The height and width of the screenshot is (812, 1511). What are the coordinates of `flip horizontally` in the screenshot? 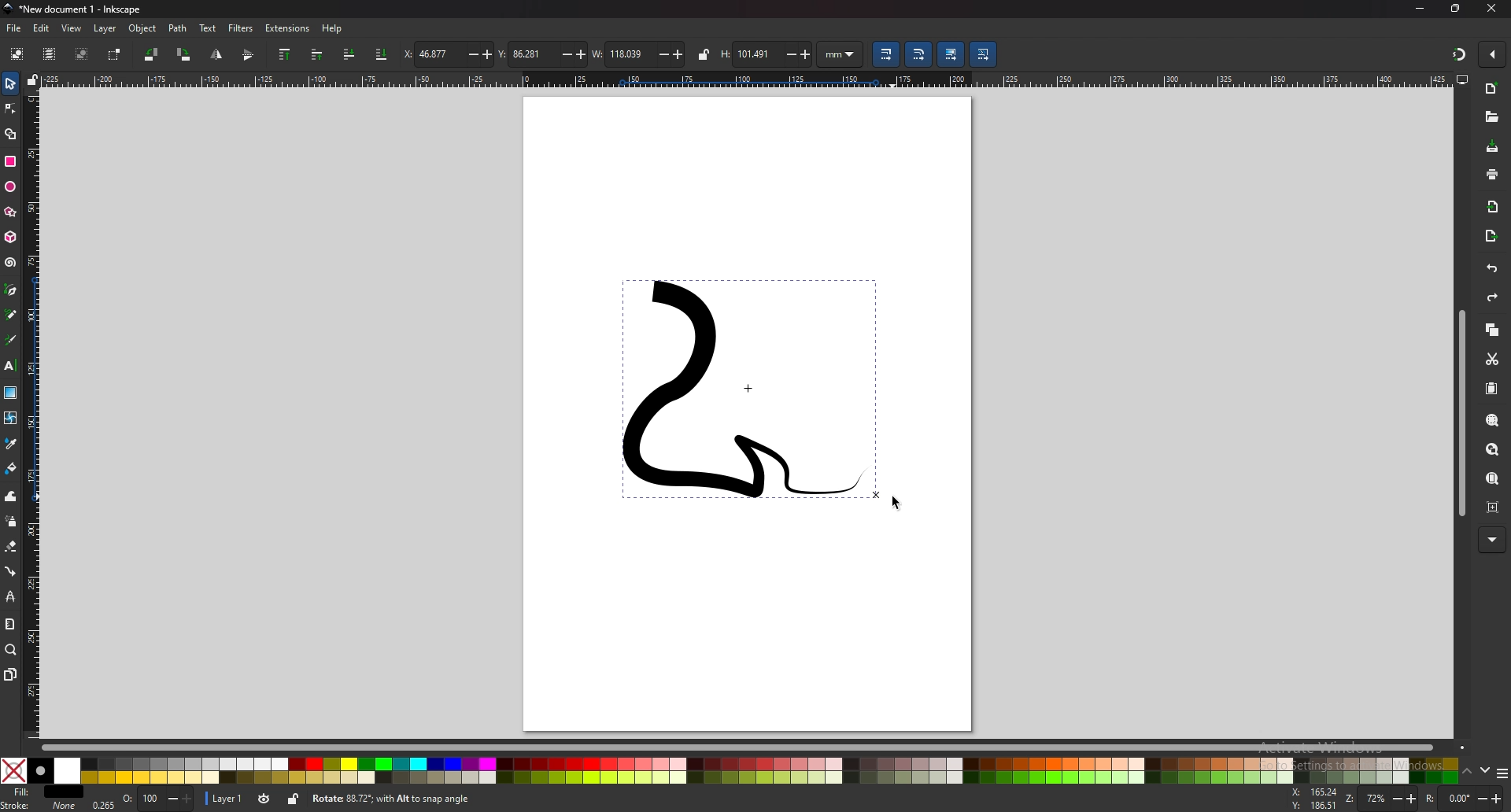 It's located at (249, 55).